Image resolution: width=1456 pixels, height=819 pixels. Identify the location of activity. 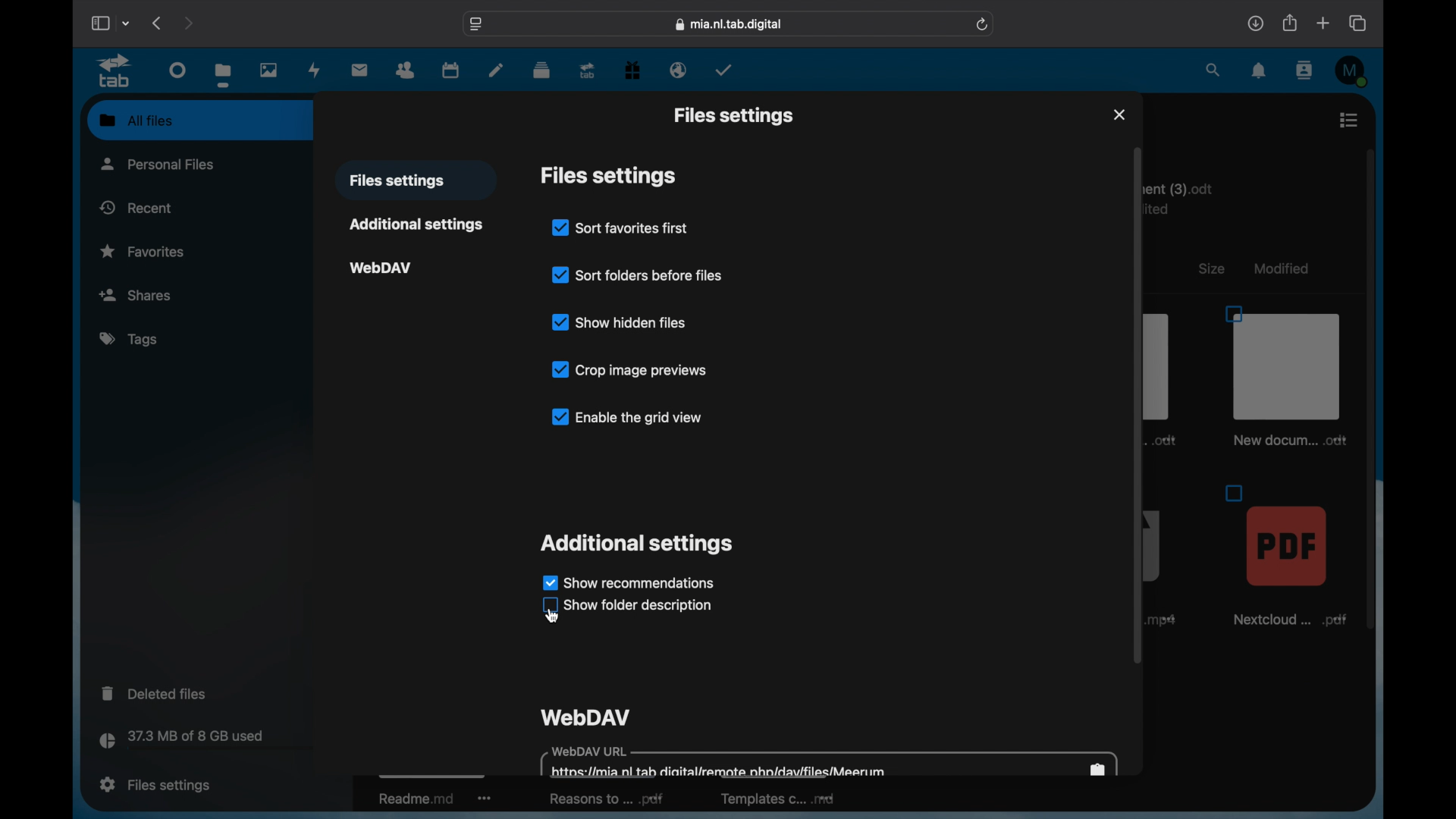
(315, 70).